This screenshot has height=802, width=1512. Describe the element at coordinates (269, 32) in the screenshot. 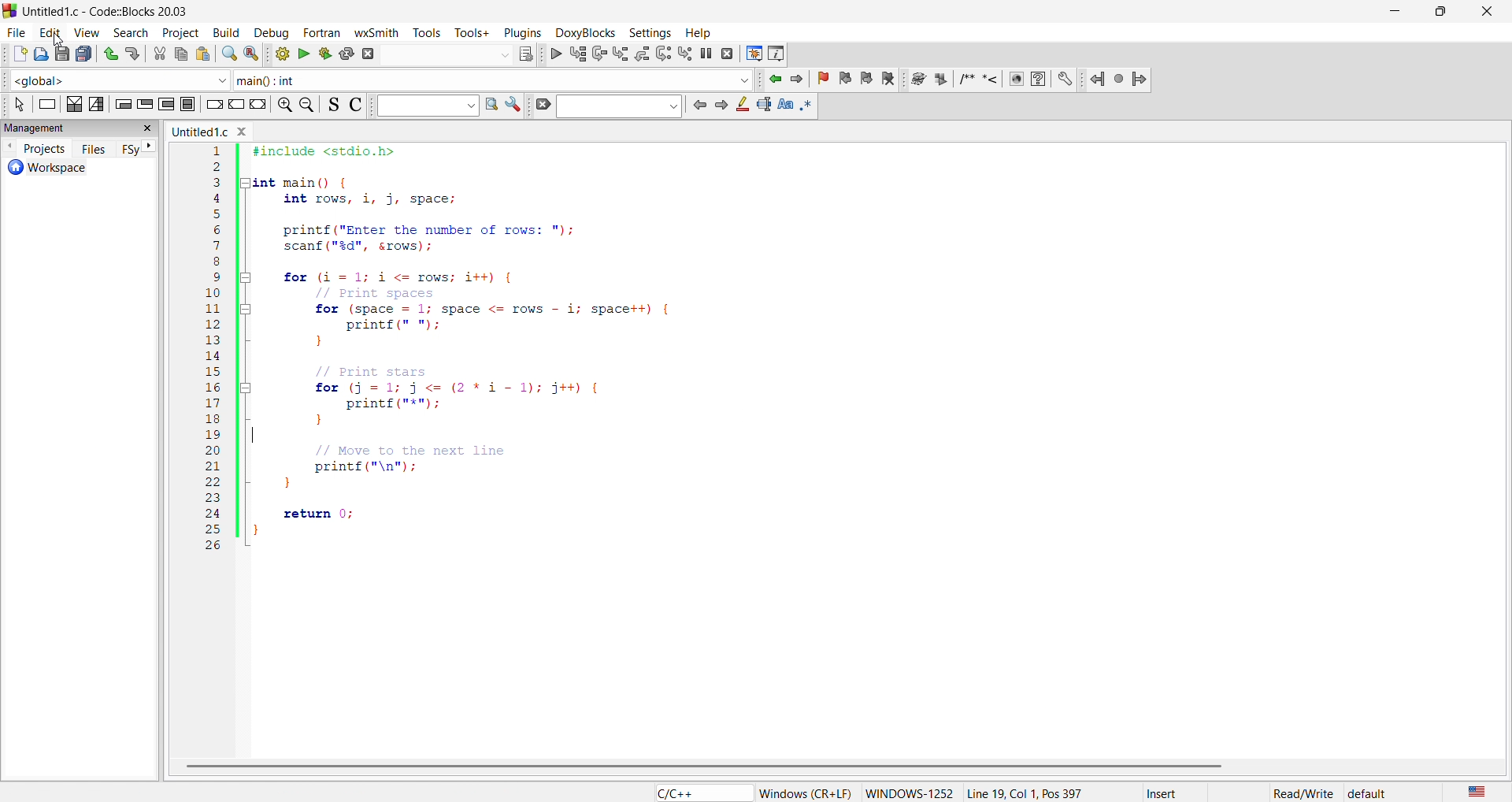

I see `debug` at that location.